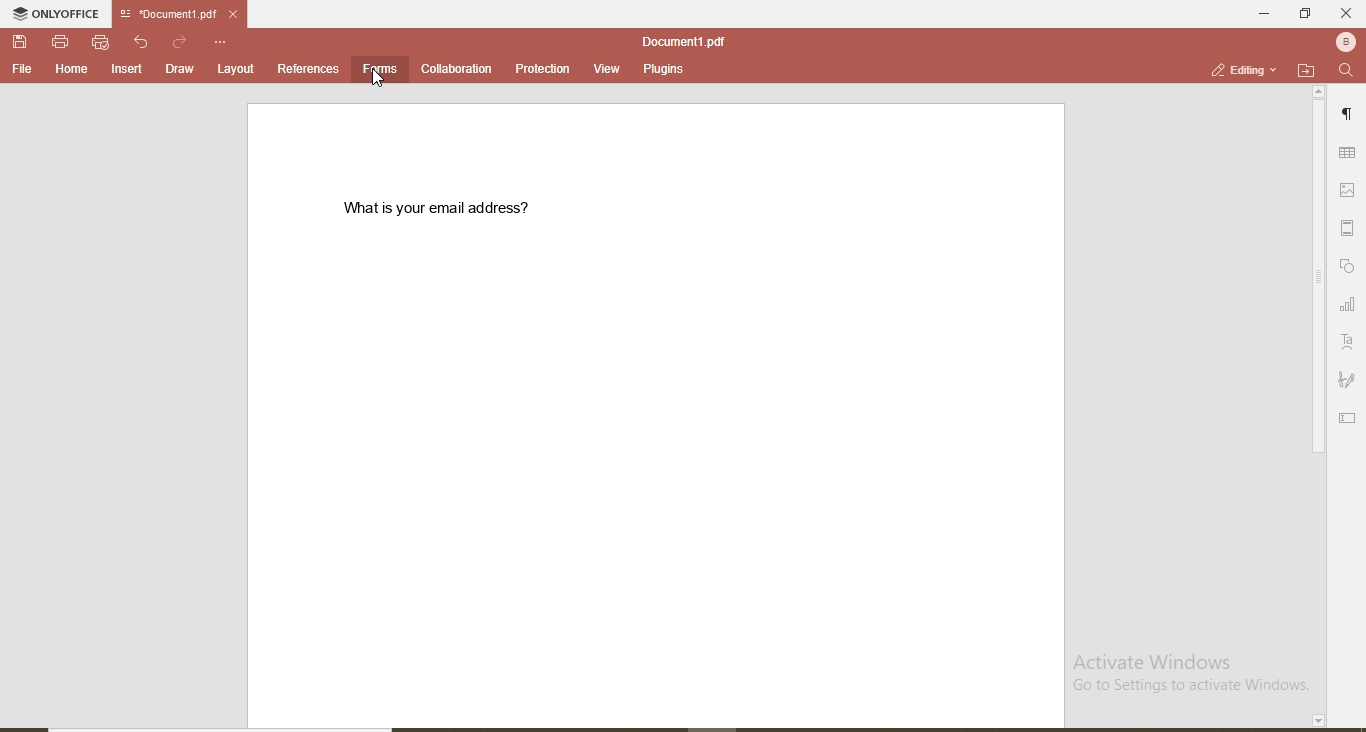 The width and height of the screenshot is (1366, 732). Describe the element at coordinates (1319, 92) in the screenshot. I see `page up` at that location.